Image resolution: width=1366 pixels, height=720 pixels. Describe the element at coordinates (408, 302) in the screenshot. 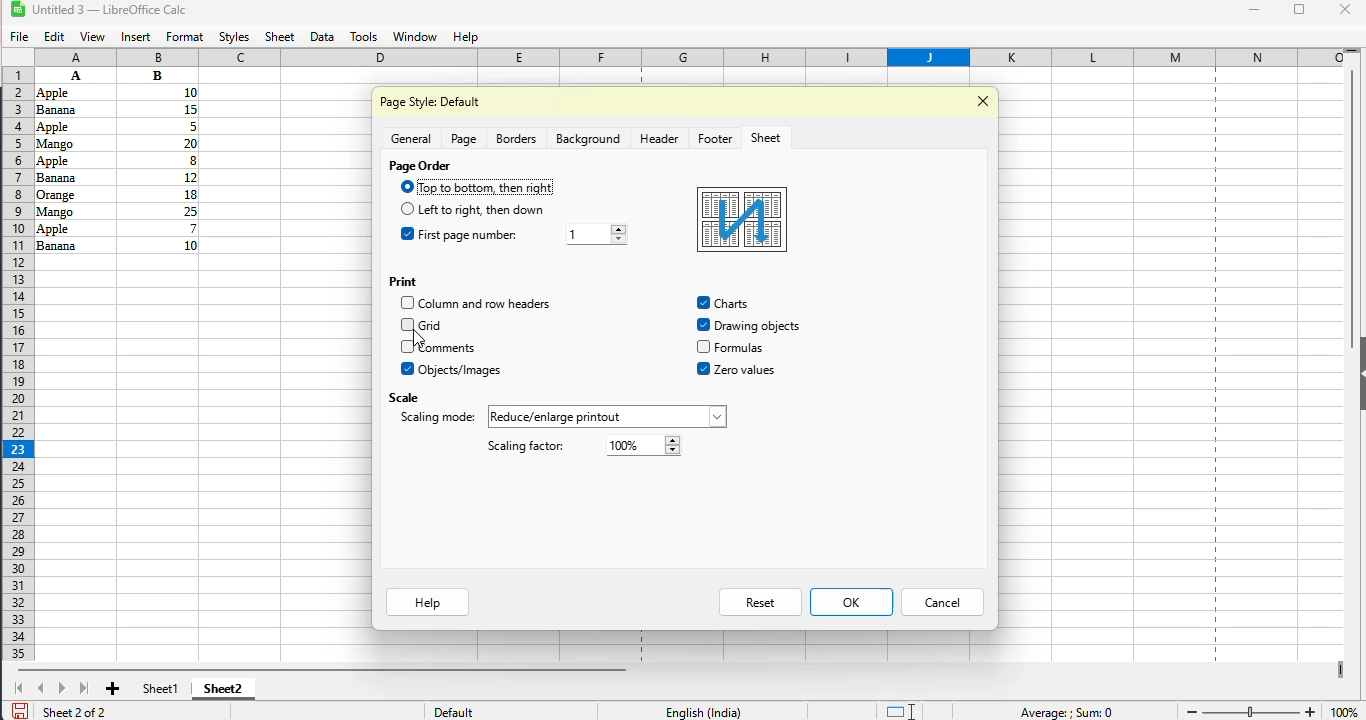

I see `` at that location.